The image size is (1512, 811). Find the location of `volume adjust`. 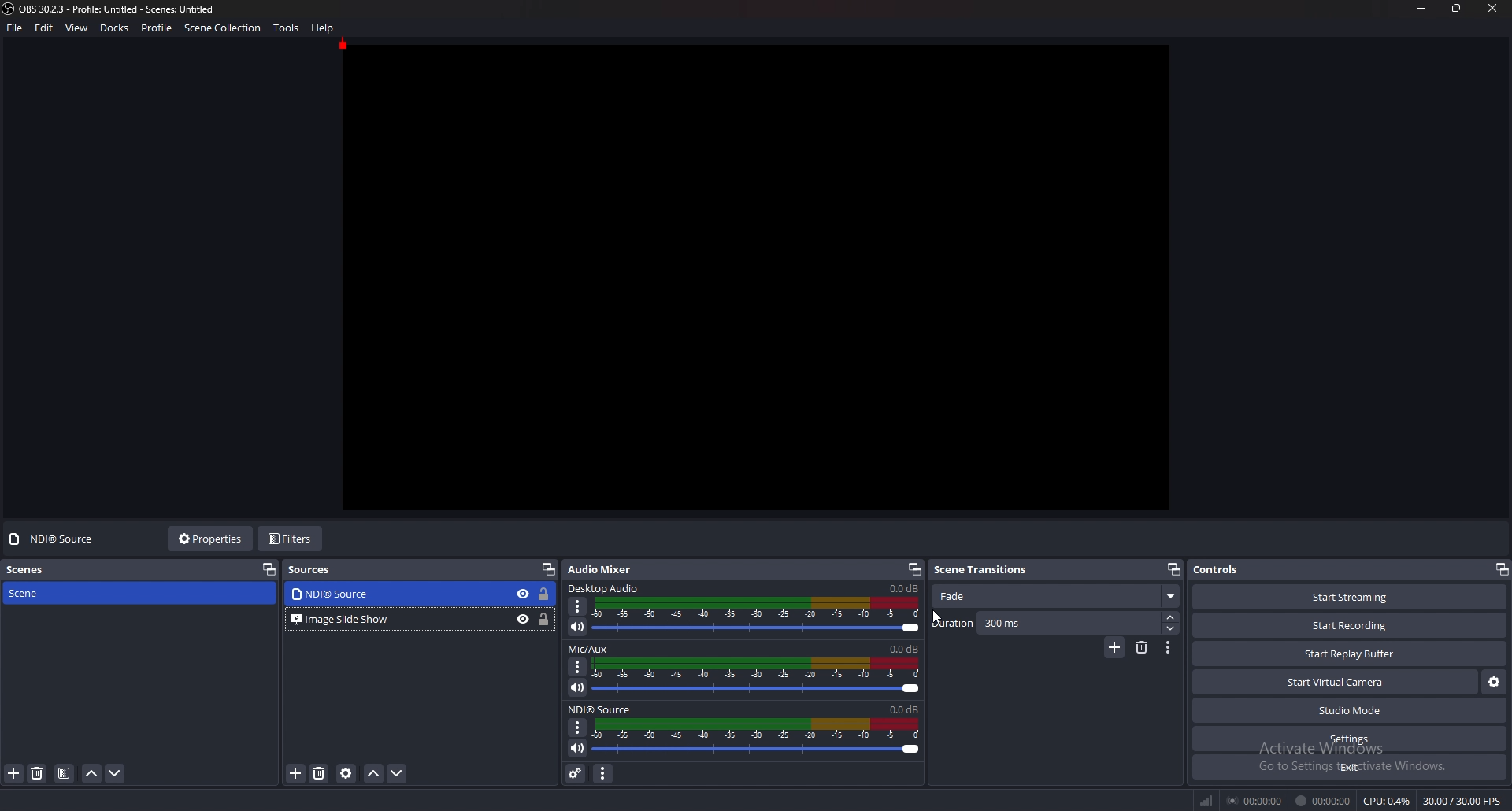

volume adjust is located at coordinates (758, 676).